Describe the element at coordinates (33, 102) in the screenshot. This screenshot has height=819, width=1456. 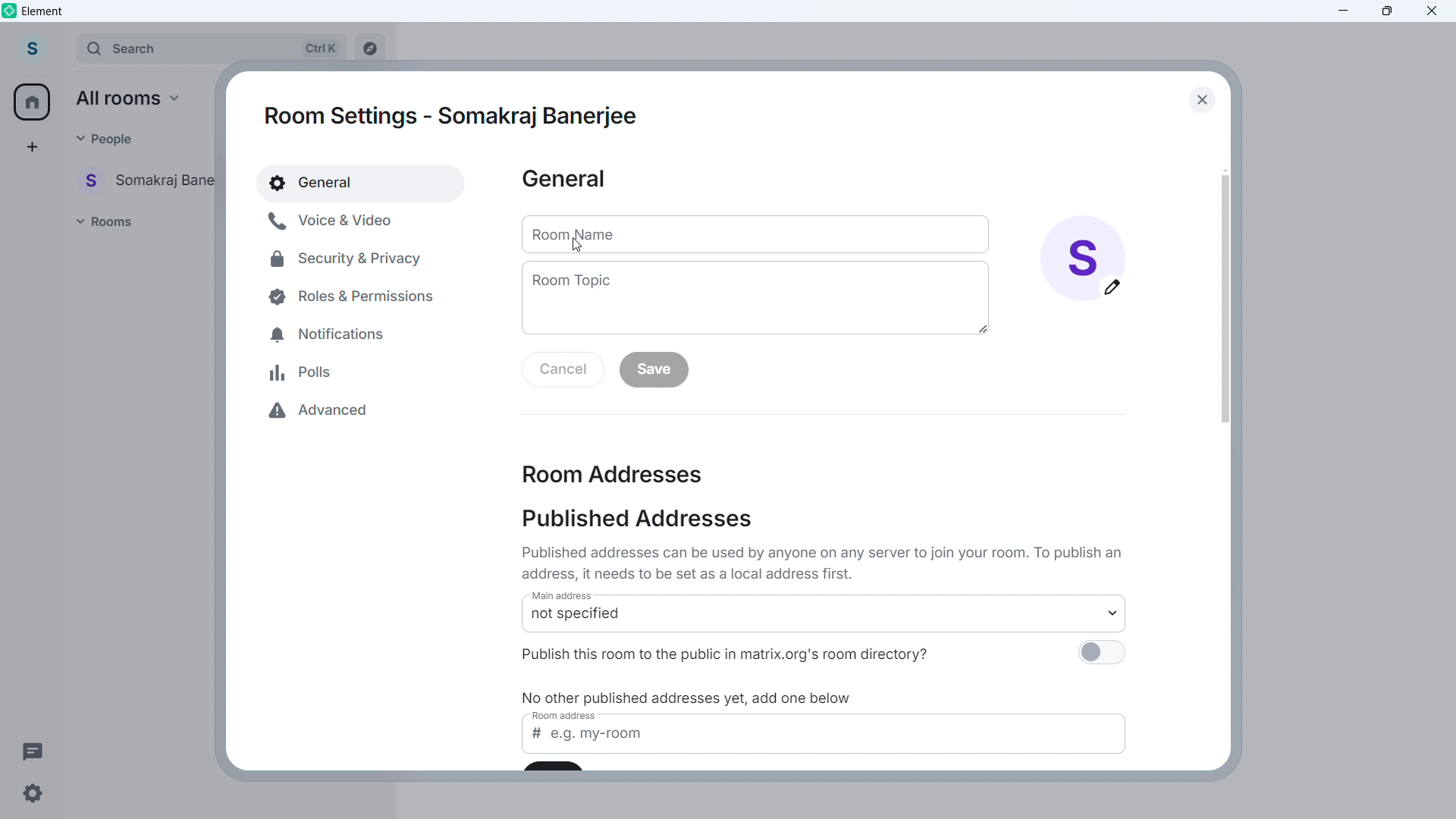
I see `Home ` at that location.